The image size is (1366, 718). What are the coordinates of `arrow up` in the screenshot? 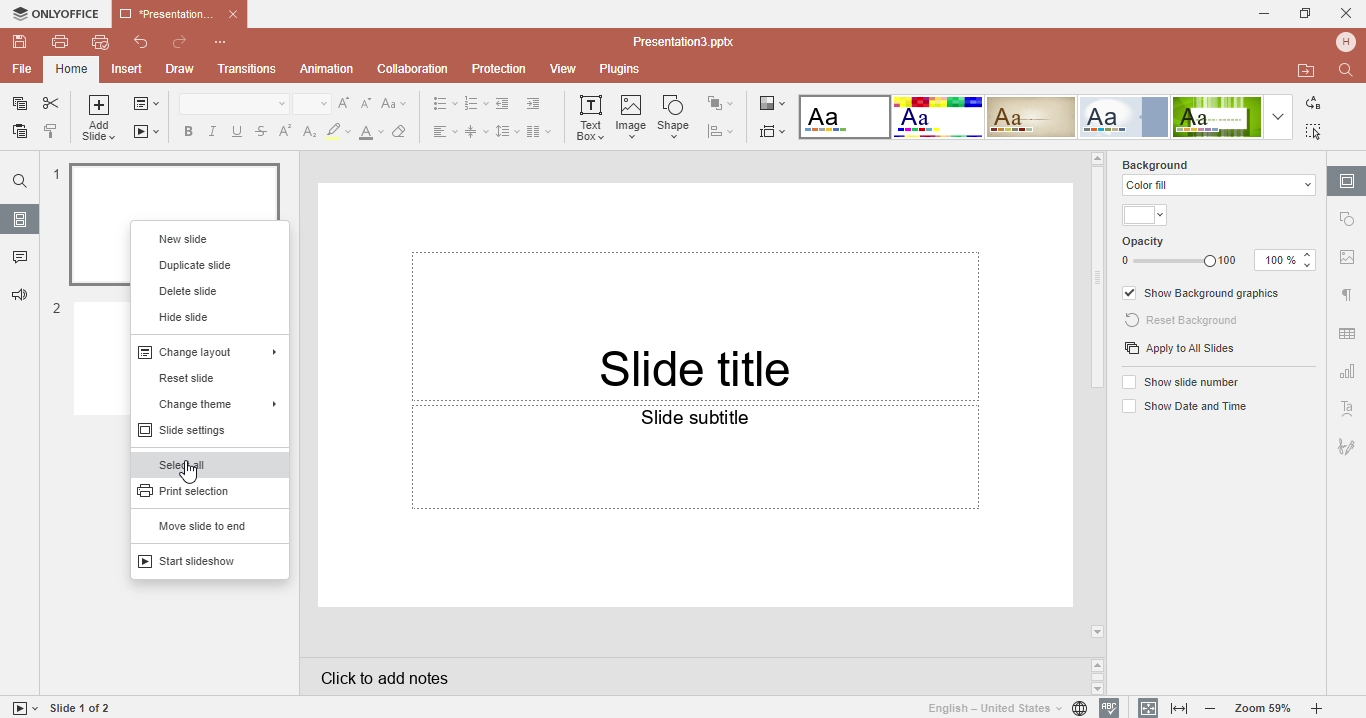 It's located at (1097, 157).